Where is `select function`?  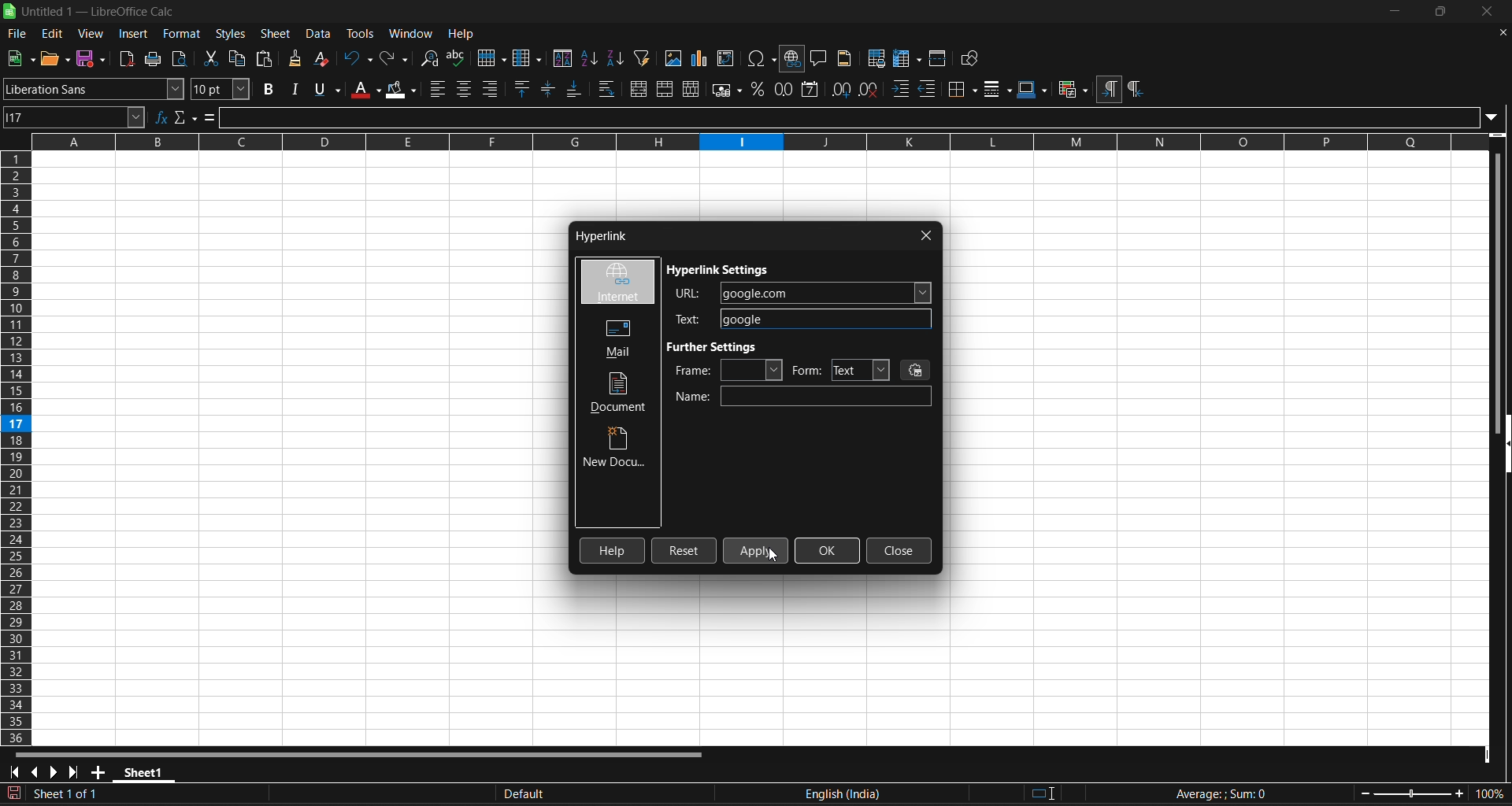
select function is located at coordinates (187, 117).